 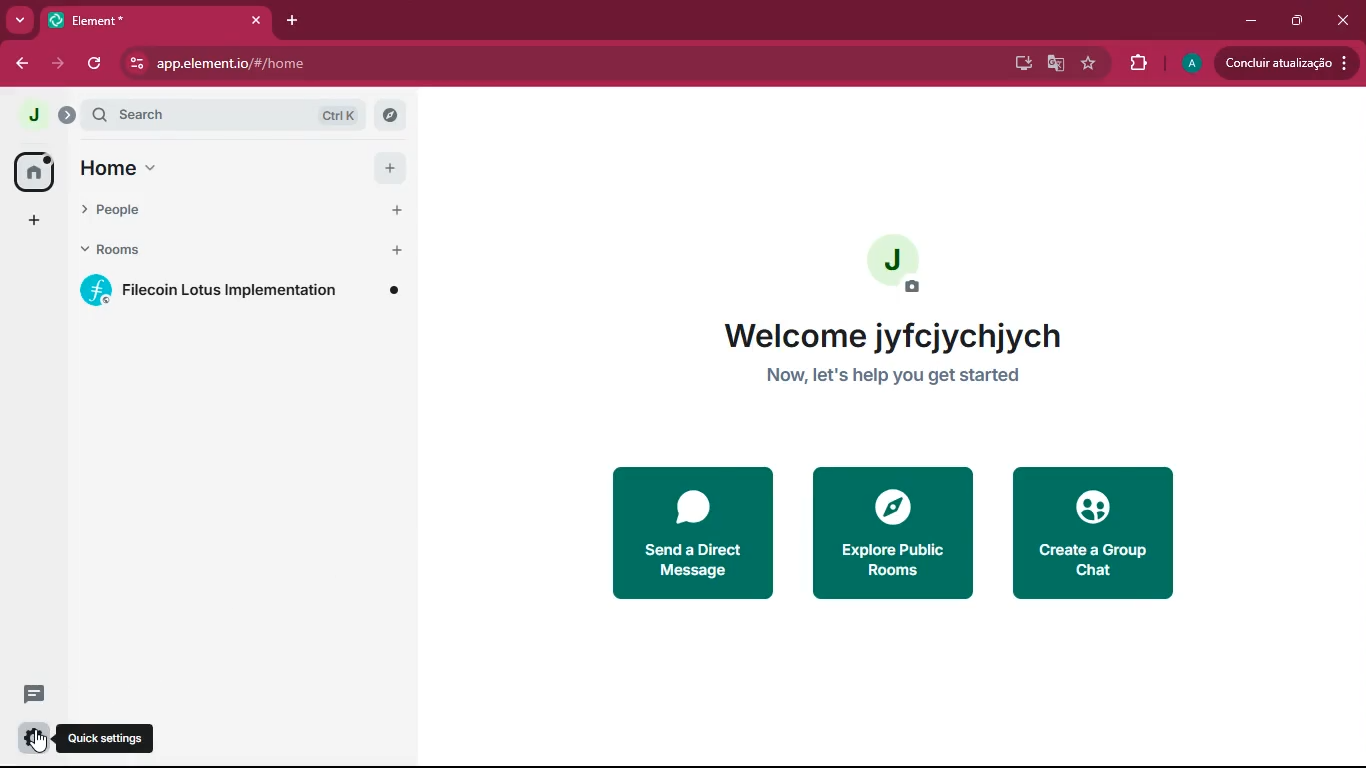 What do you see at coordinates (1103, 538) in the screenshot?
I see `create a group chat` at bounding box center [1103, 538].